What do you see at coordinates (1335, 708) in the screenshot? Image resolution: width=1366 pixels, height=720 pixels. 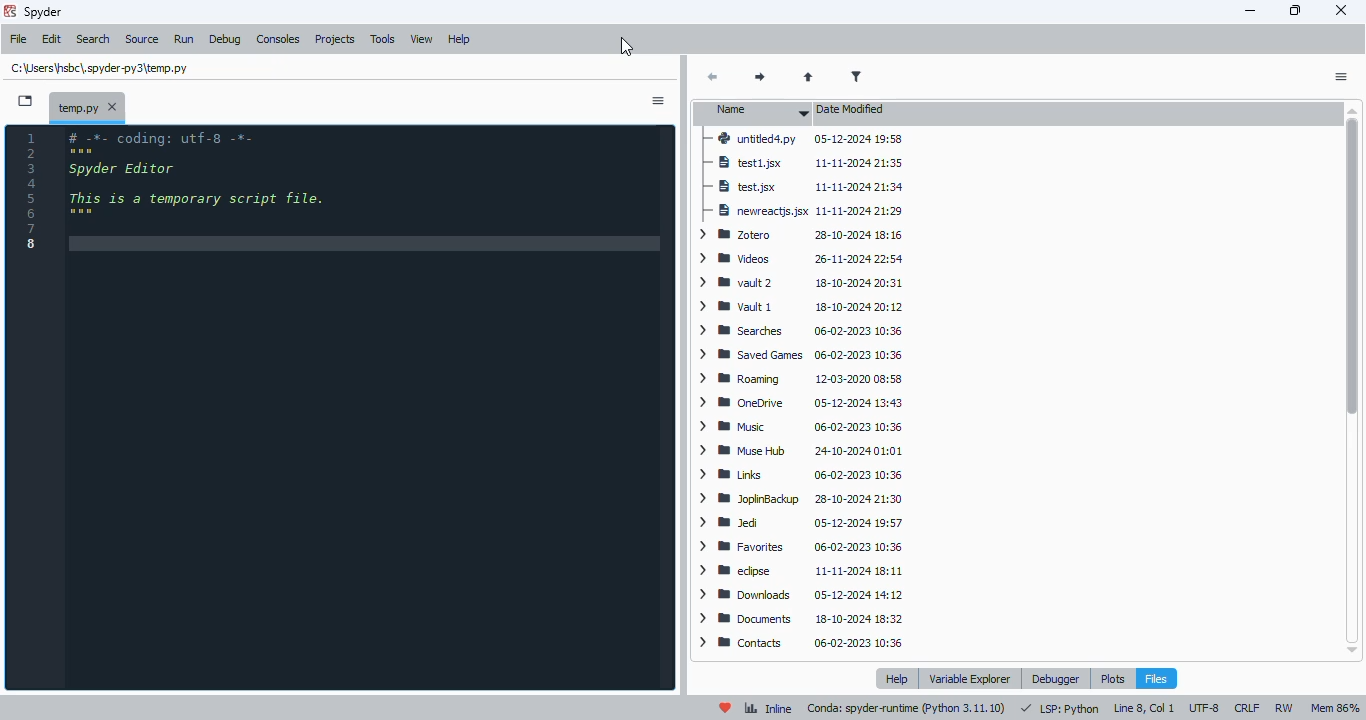 I see `mem 86%` at bounding box center [1335, 708].